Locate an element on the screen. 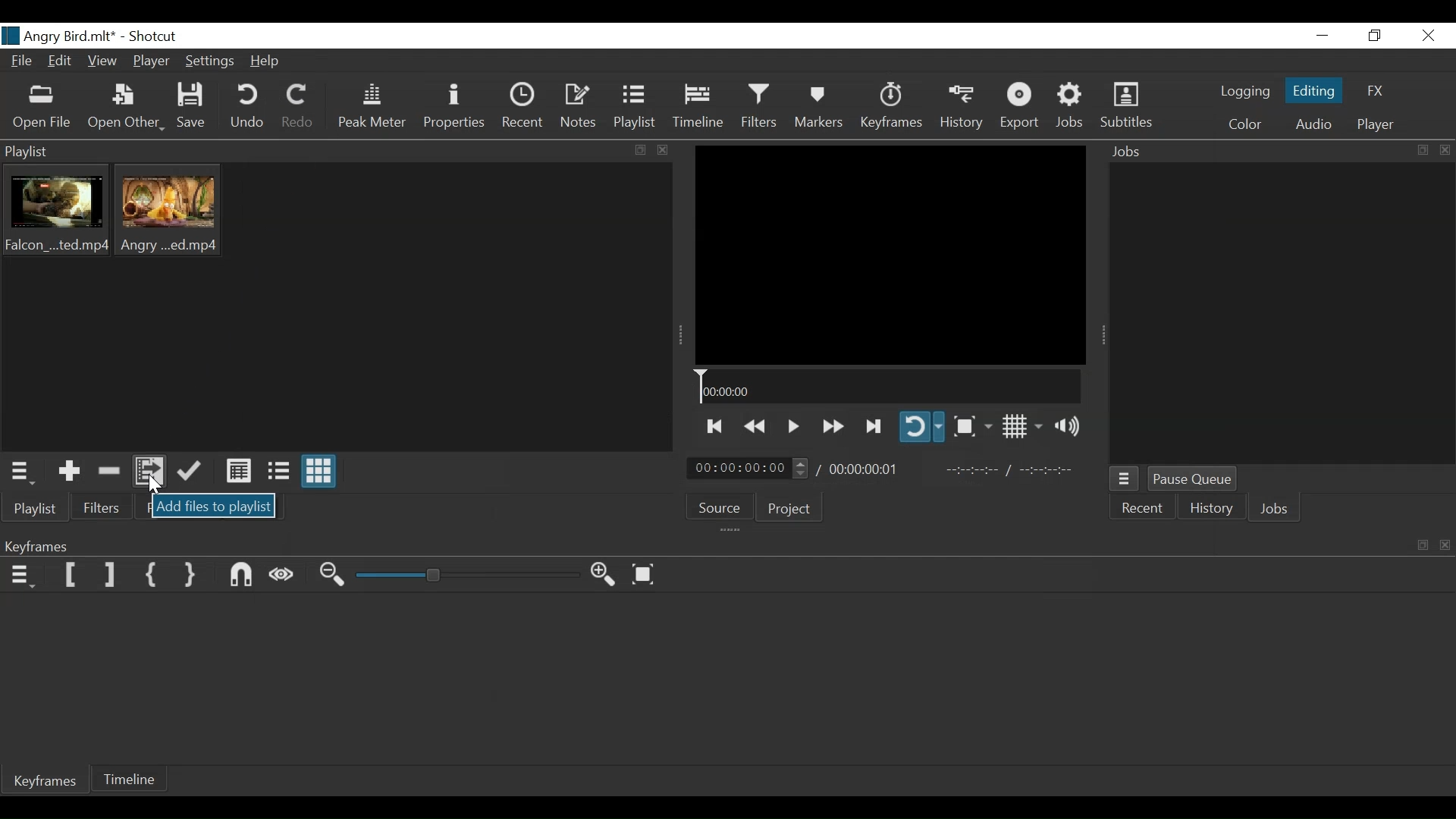 The image size is (1456, 819). View as file is located at coordinates (279, 472).